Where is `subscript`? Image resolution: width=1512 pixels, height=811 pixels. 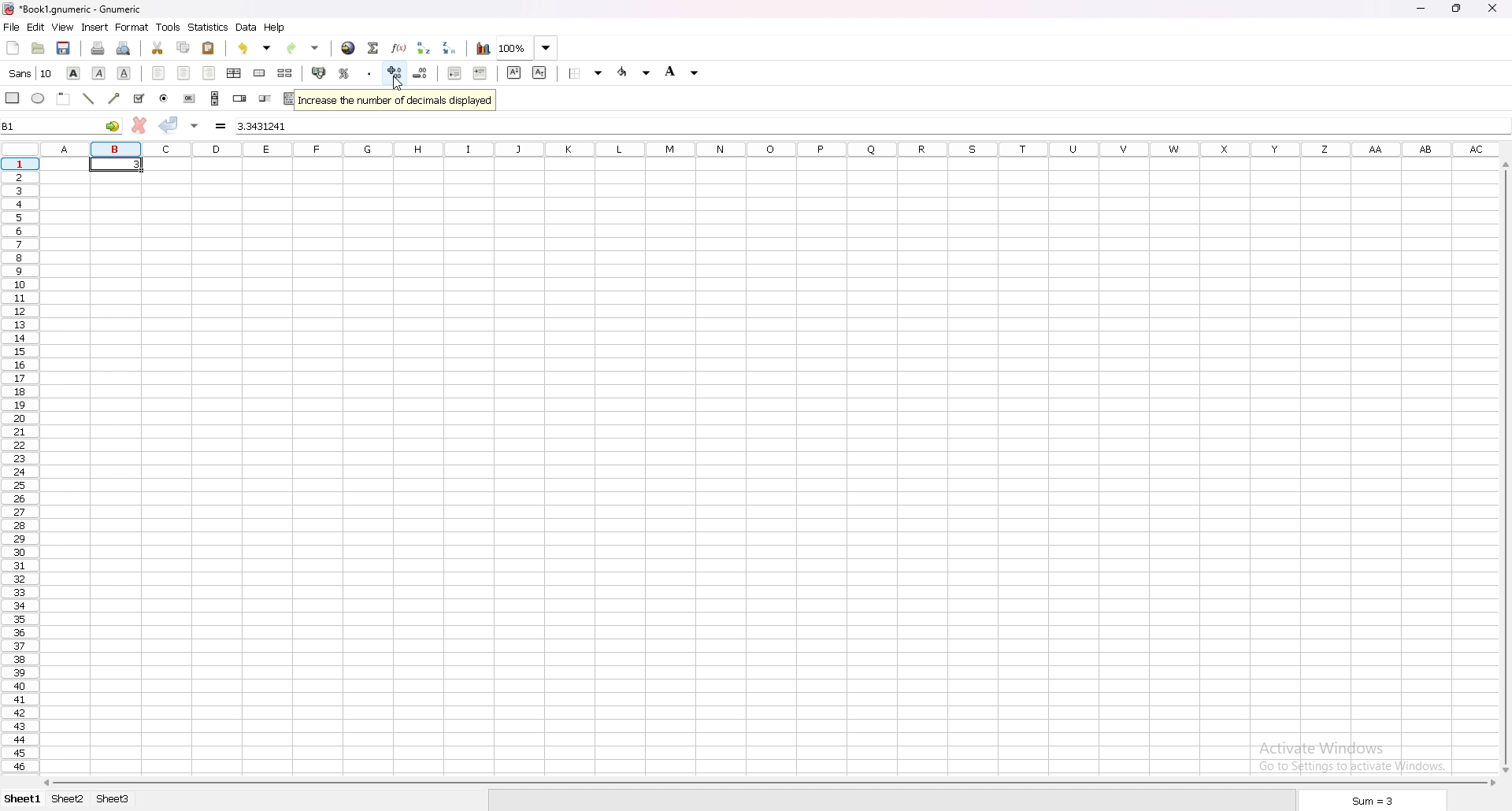 subscript is located at coordinates (539, 73).